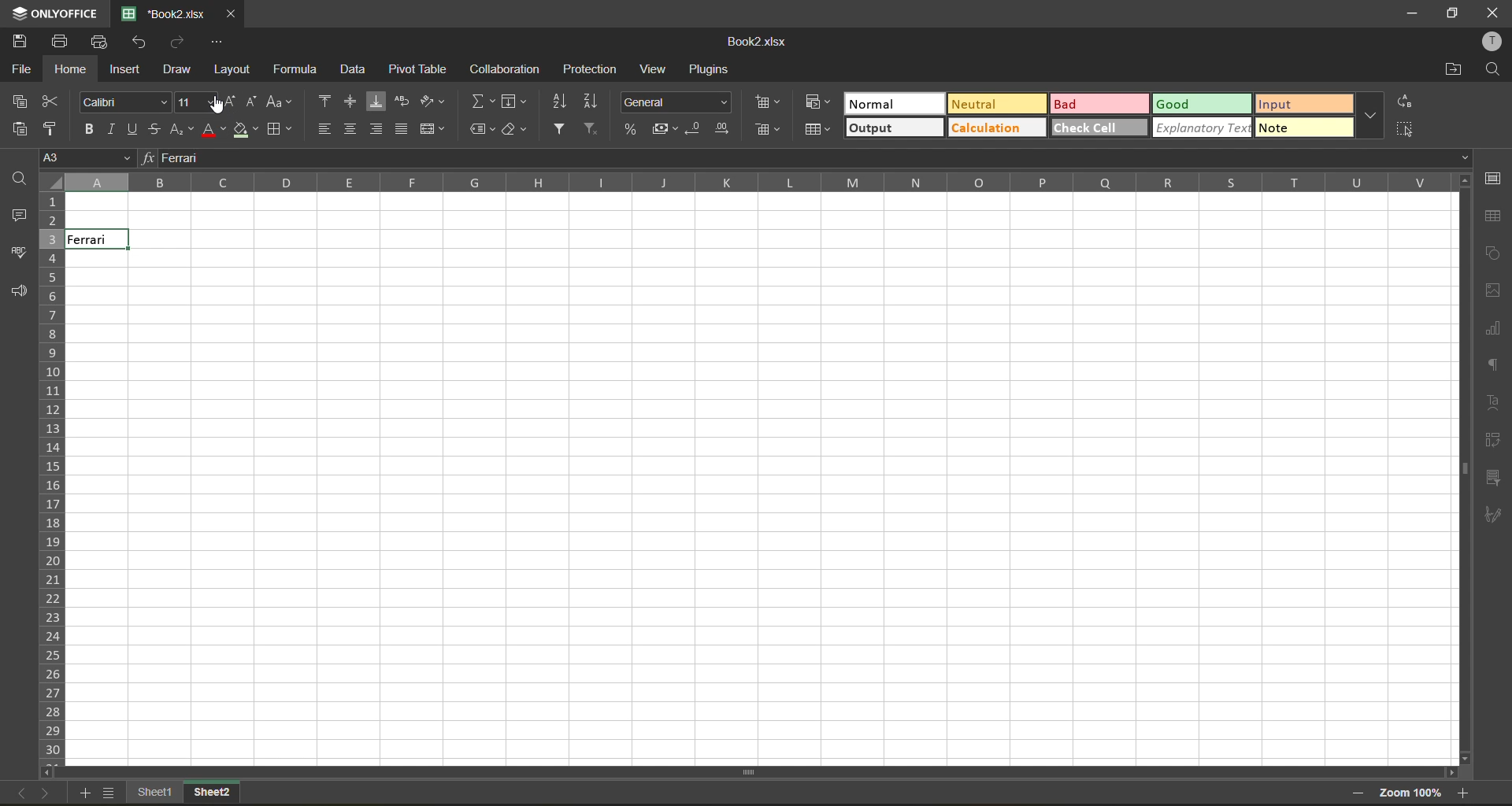 The image size is (1512, 806). What do you see at coordinates (1203, 105) in the screenshot?
I see `good` at bounding box center [1203, 105].